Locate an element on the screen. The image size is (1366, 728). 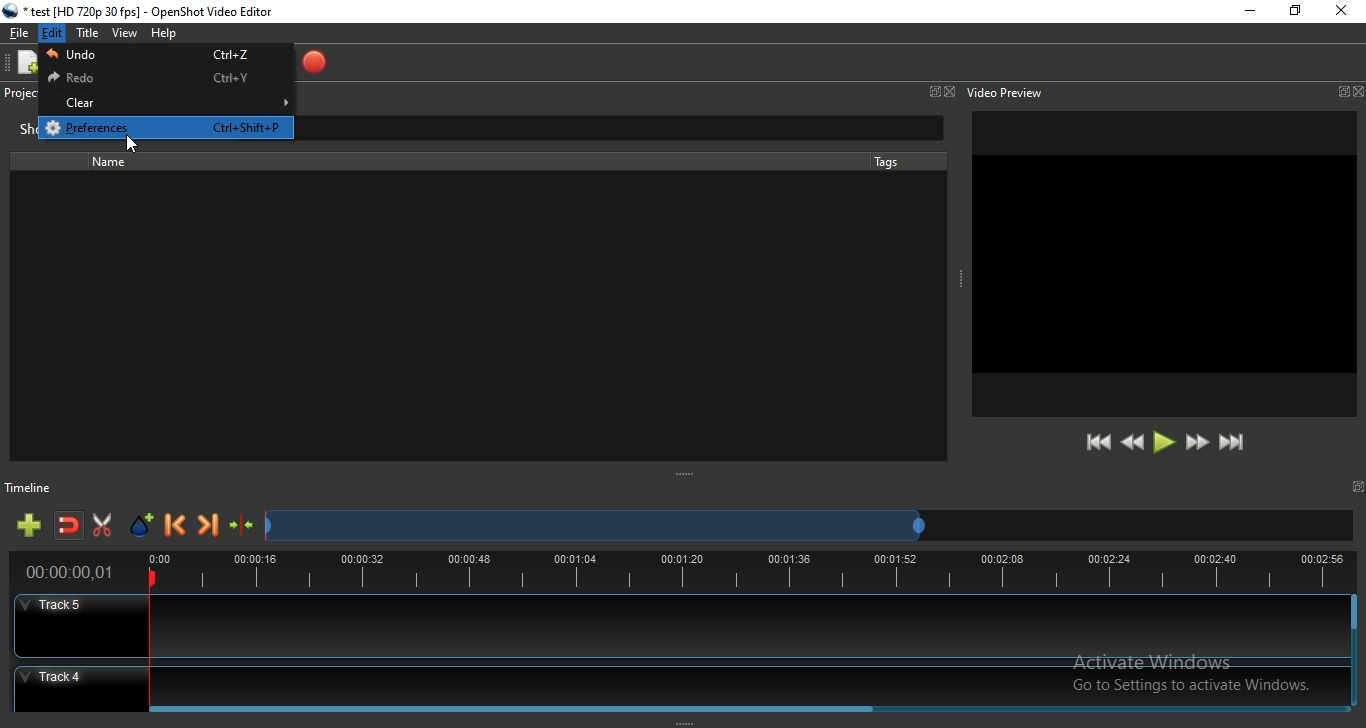
Next marker is located at coordinates (209, 528).